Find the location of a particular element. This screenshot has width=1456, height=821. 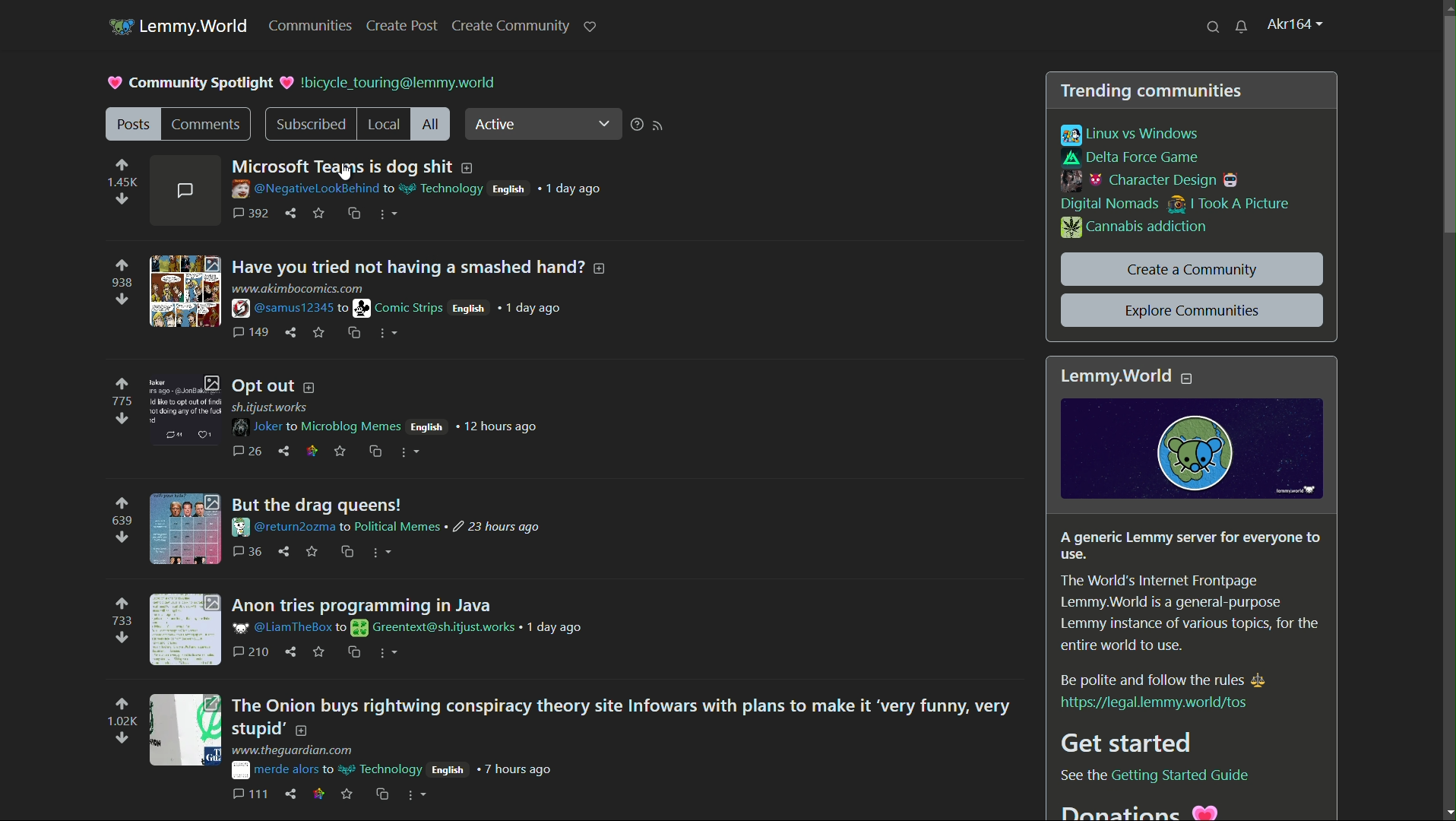

more is located at coordinates (392, 215).